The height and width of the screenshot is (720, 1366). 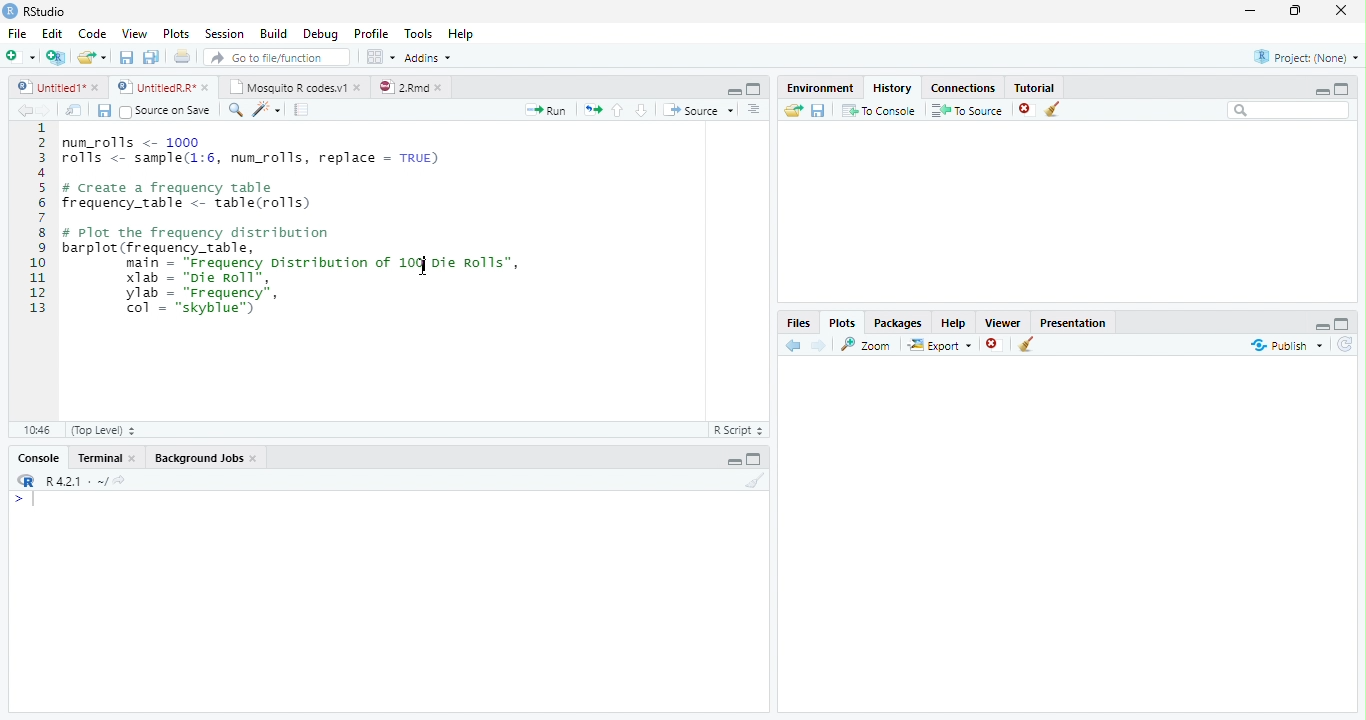 I want to click on View, so click(x=135, y=32).